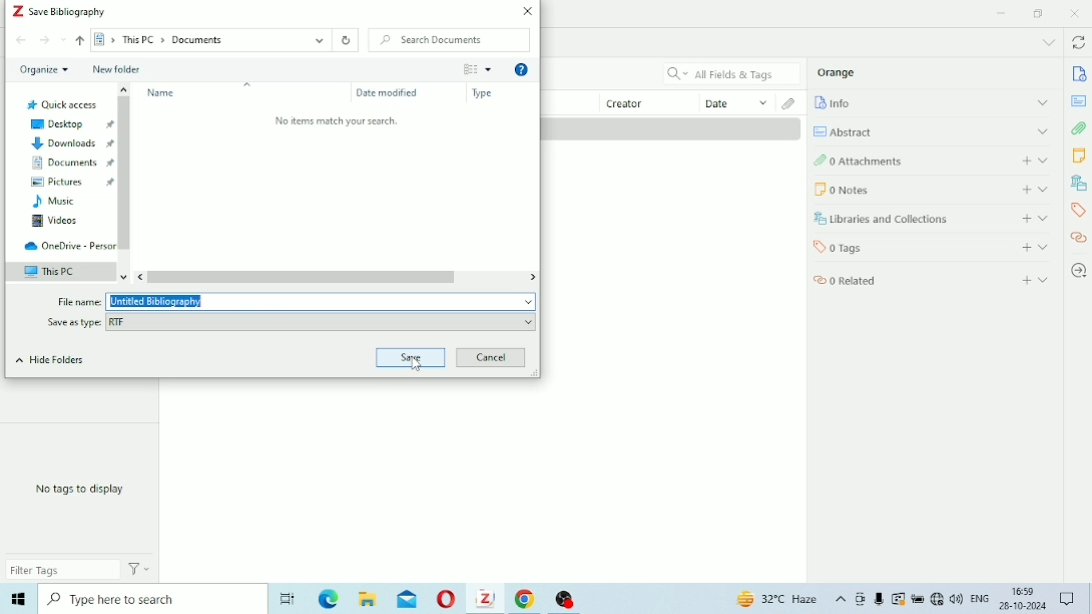  I want to click on Downloads, so click(70, 144).